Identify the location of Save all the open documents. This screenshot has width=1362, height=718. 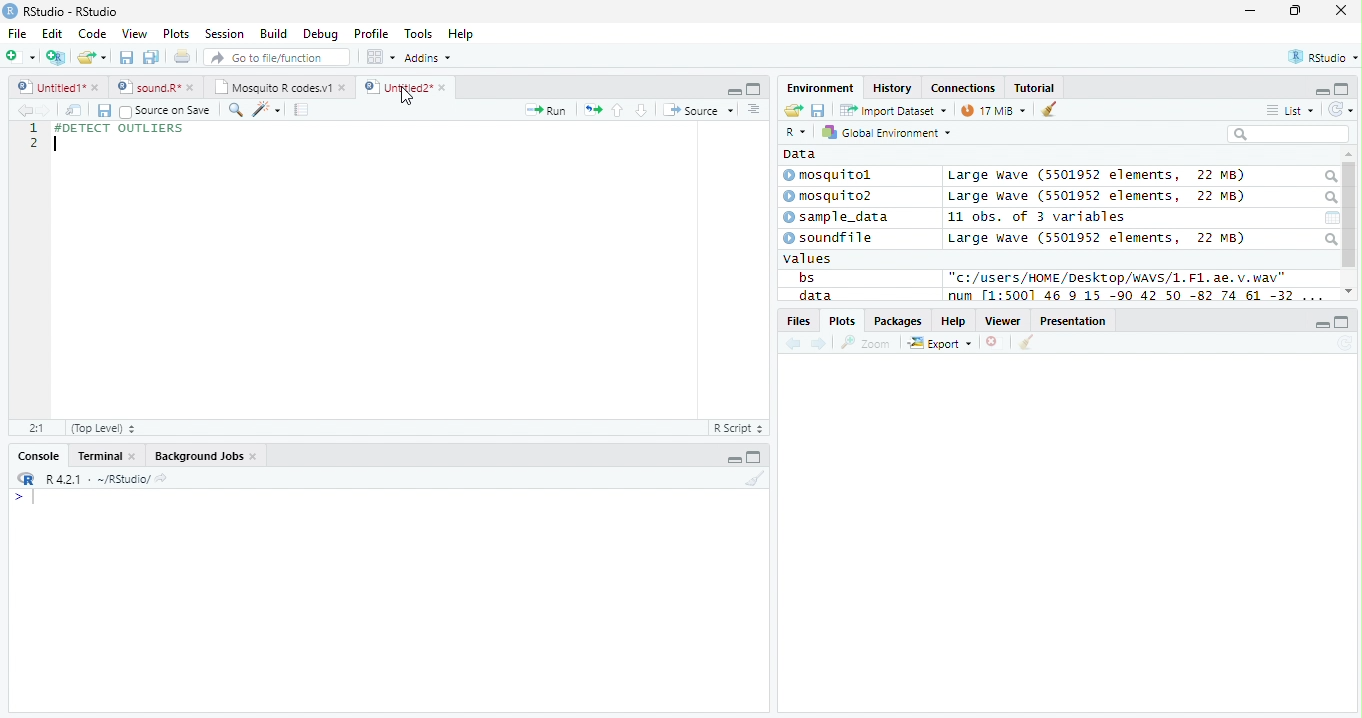
(151, 58).